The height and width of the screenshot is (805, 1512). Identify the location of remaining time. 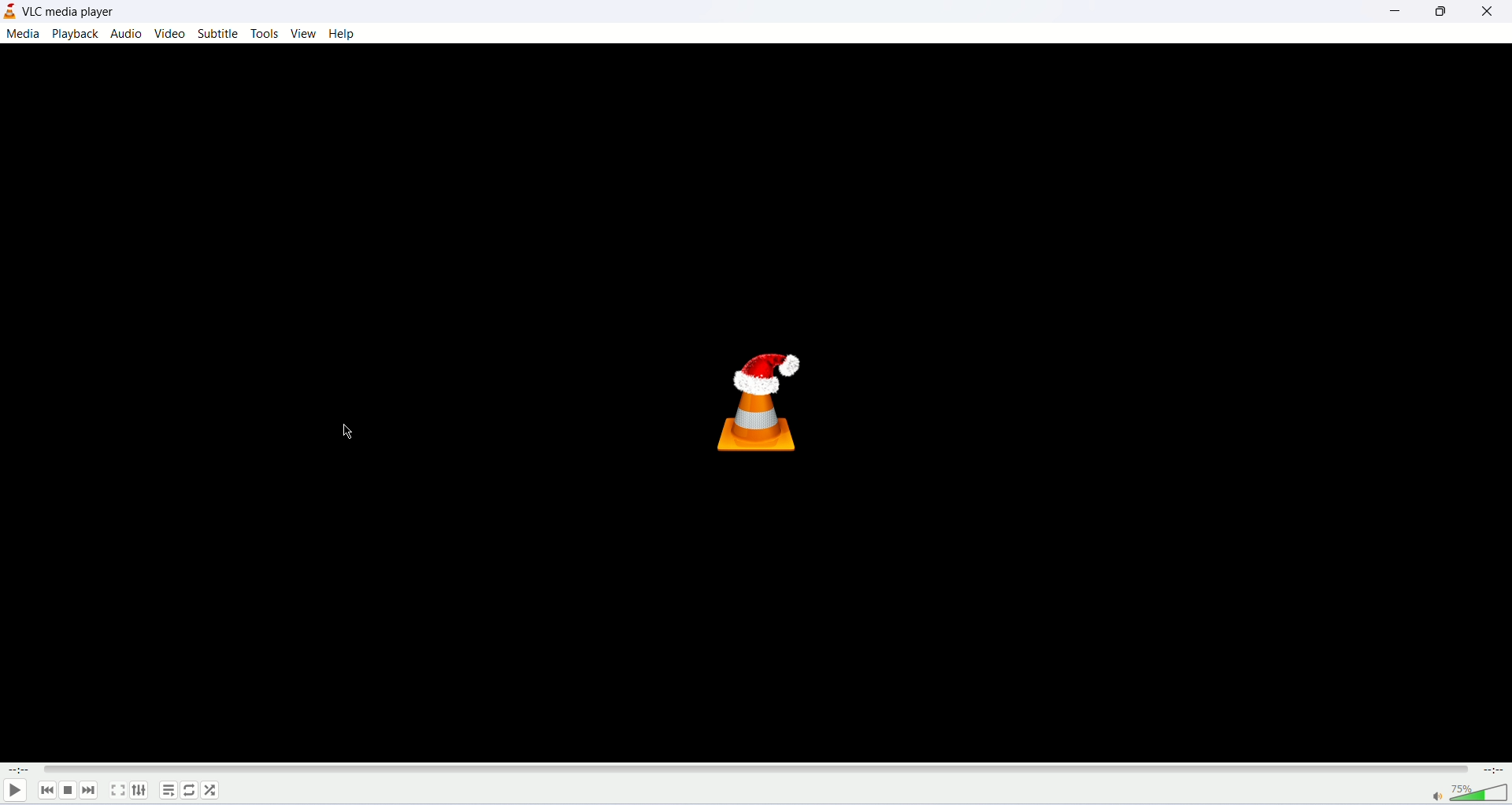
(1492, 770).